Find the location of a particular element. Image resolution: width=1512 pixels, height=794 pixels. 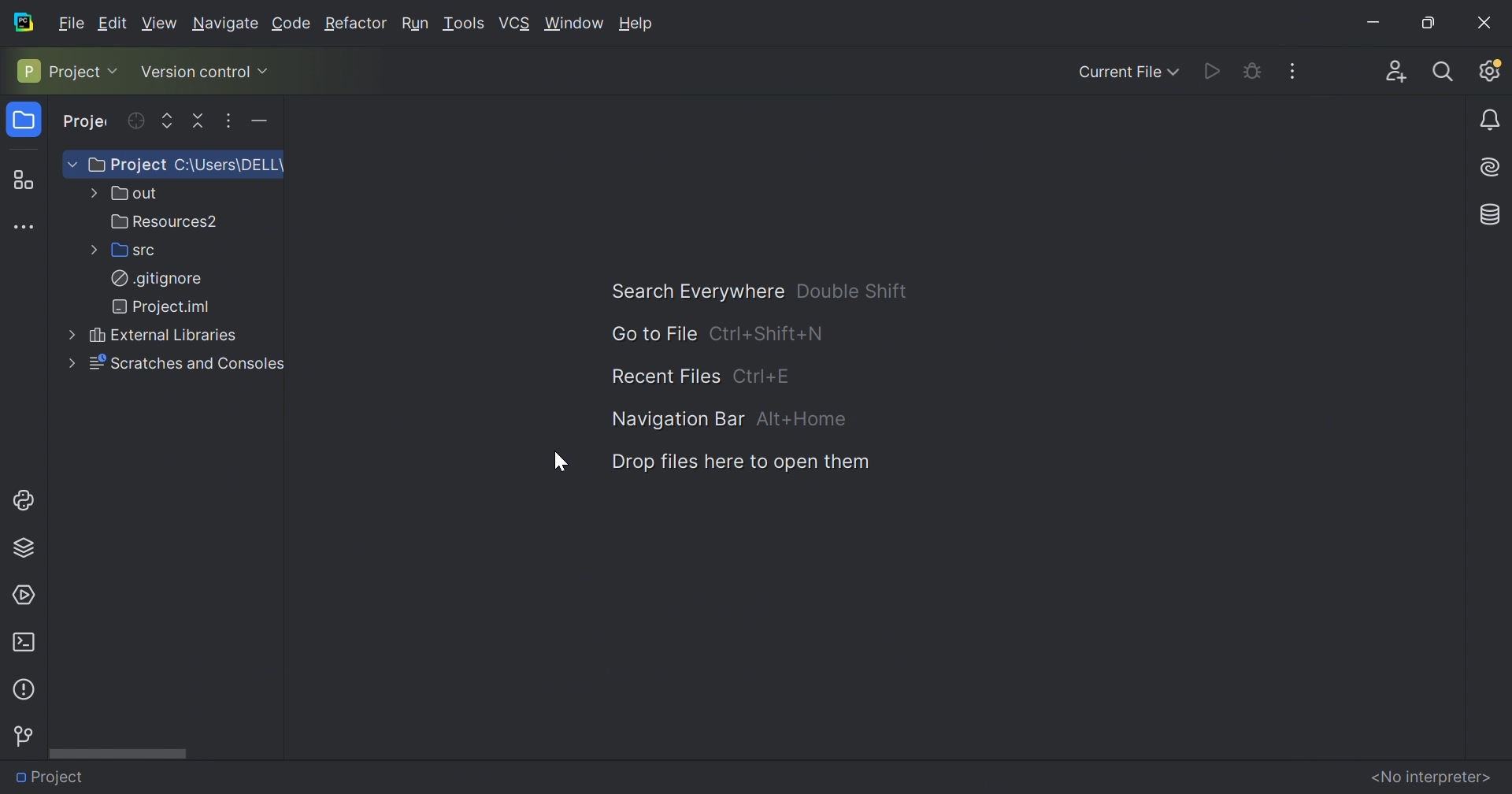

Project is located at coordinates (87, 123).